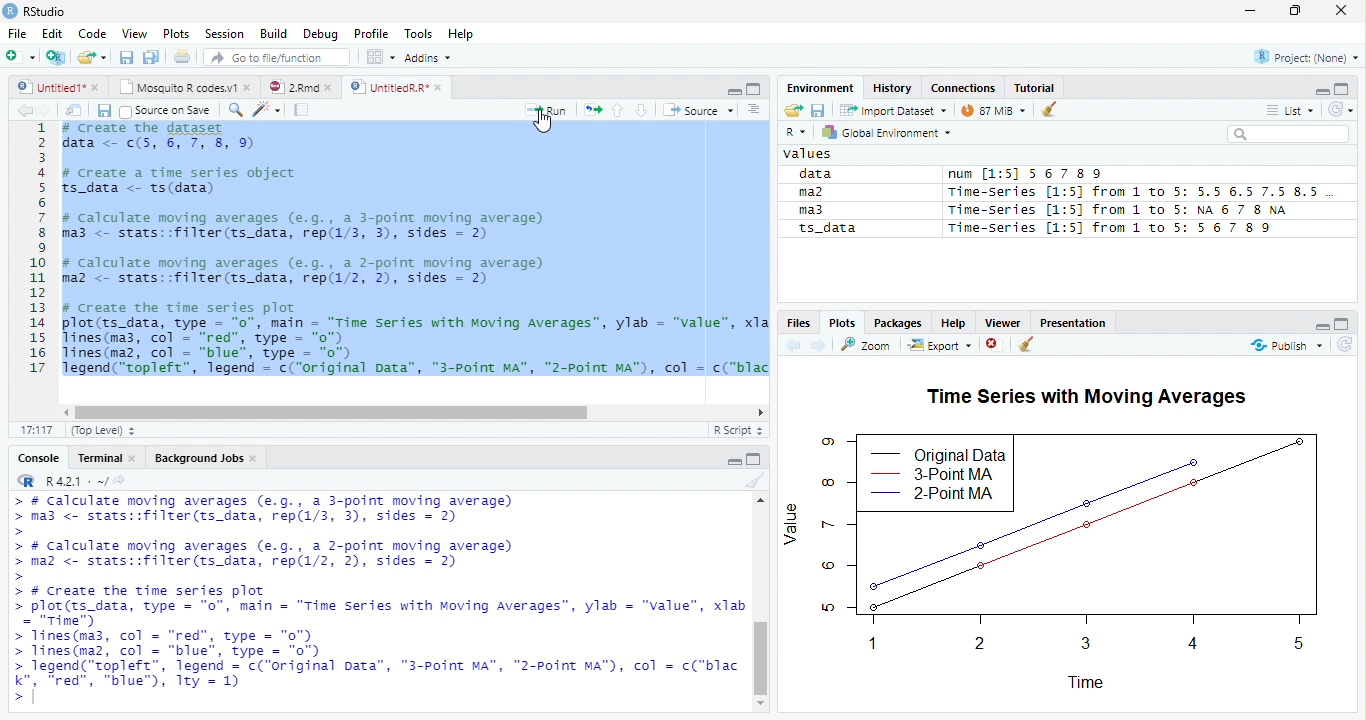  What do you see at coordinates (819, 345) in the screenshot?
I see `next` at bounding box center [819, 345].